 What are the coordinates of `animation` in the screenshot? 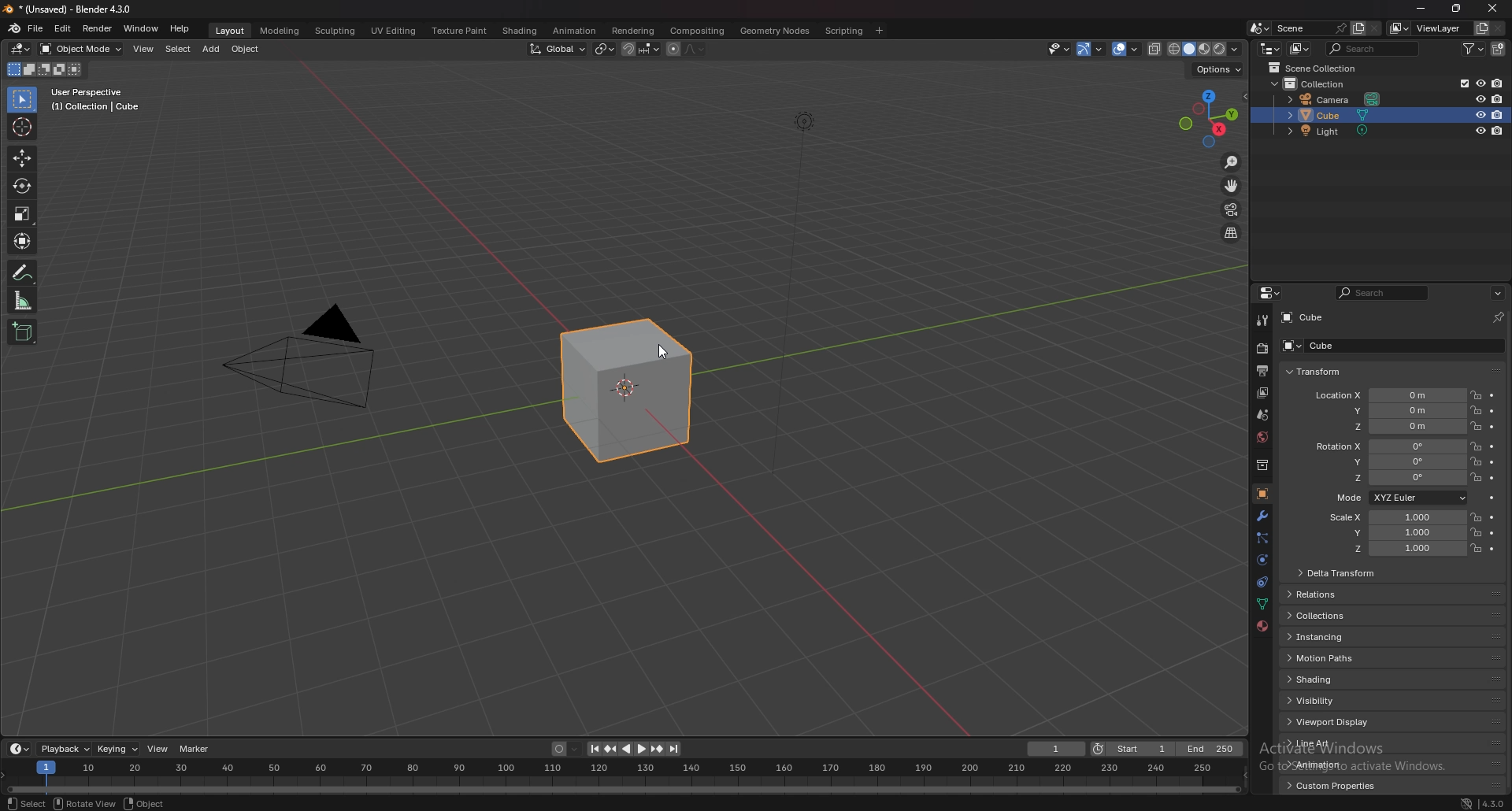 It's located at (576, 30).